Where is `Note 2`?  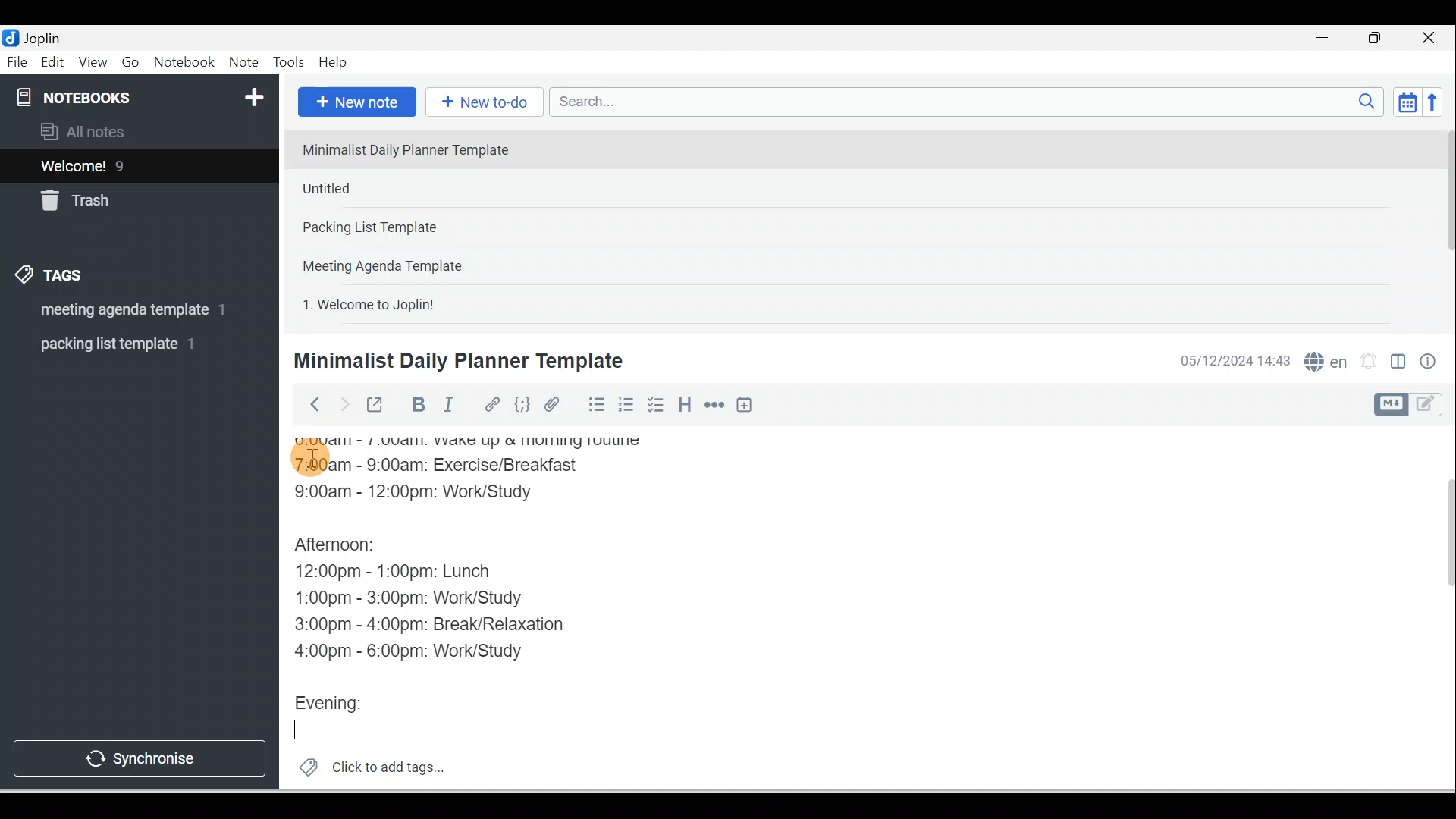 Note 2 is located at coordinates (401, 188).